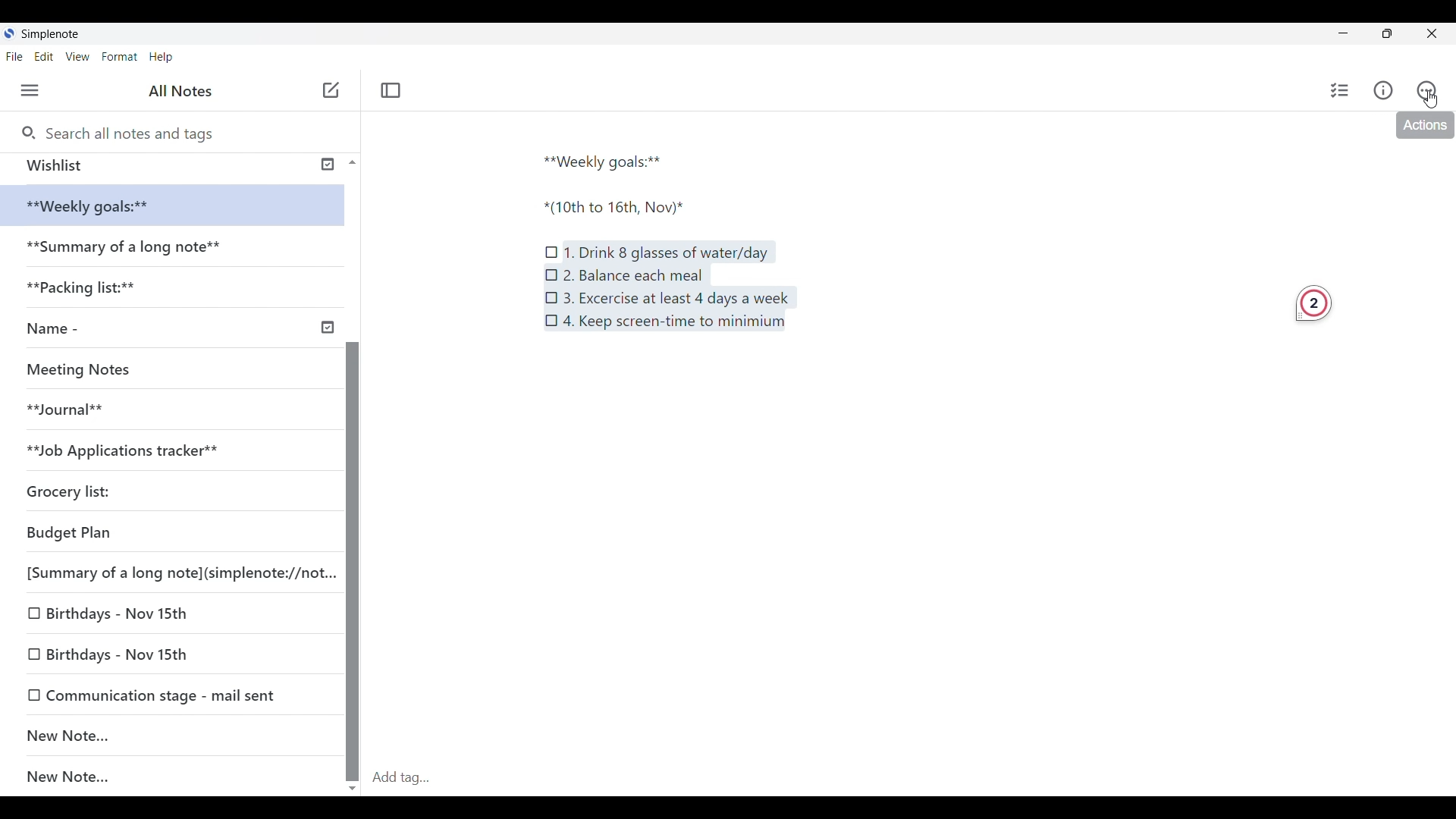  I want to click on [Summary of a long note](simplenote://not., so click(171, 572).